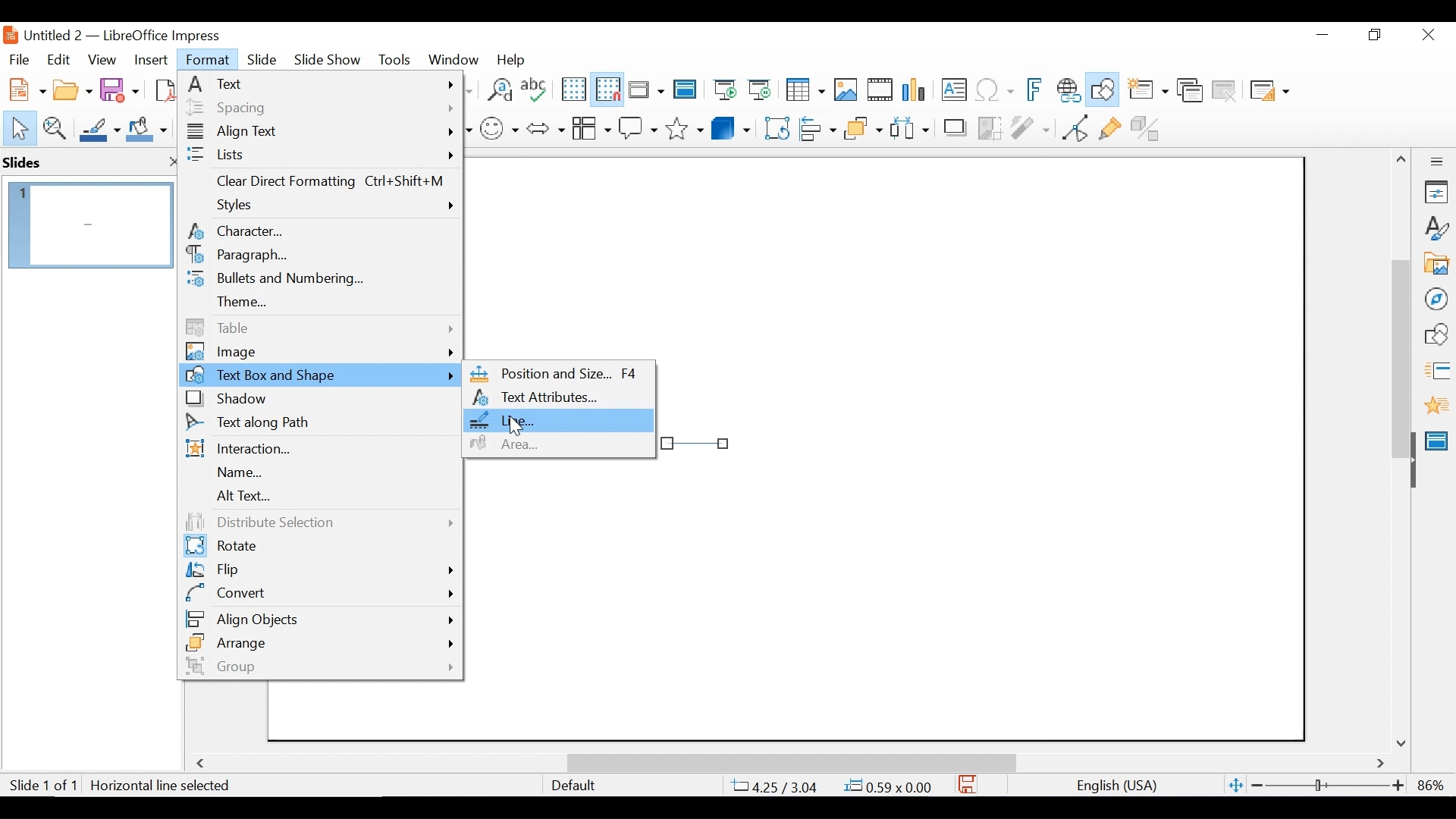  What do you see at coordinates (916, 91) in the screenshot?
I see `Insert Chart` at bounding box center [916, 91].